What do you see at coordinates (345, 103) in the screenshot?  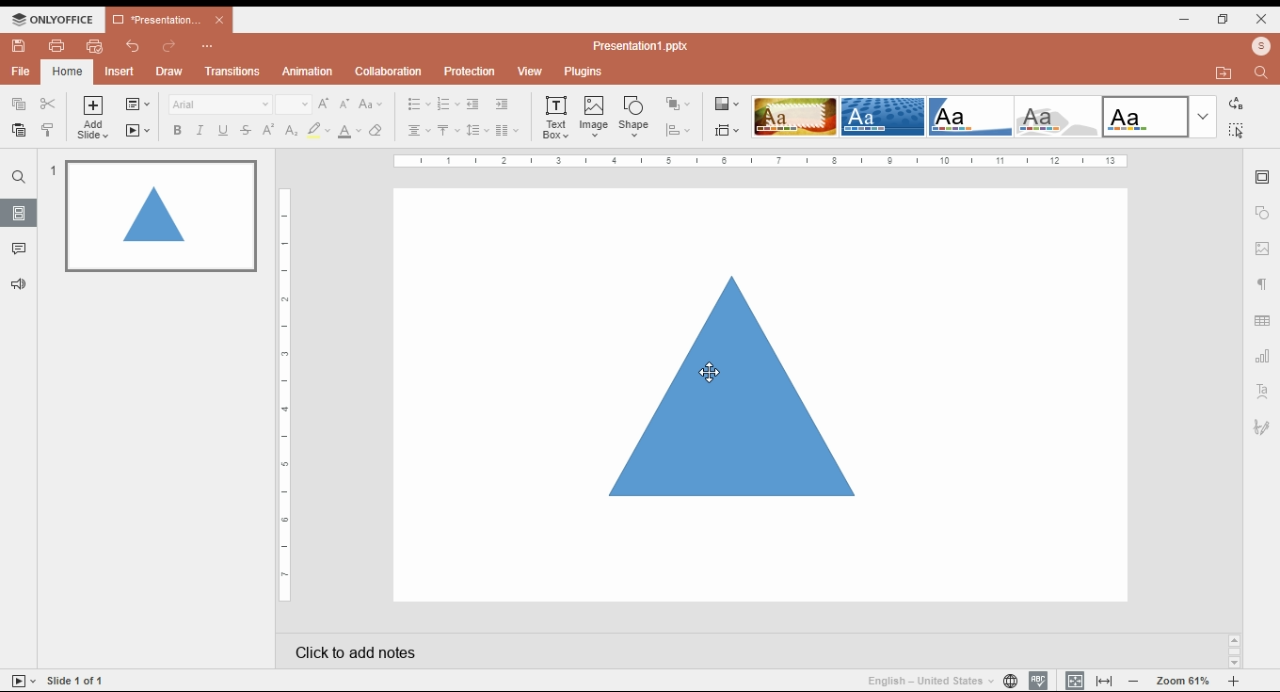 I see `decrement font size` at bounding box center [345, 103].